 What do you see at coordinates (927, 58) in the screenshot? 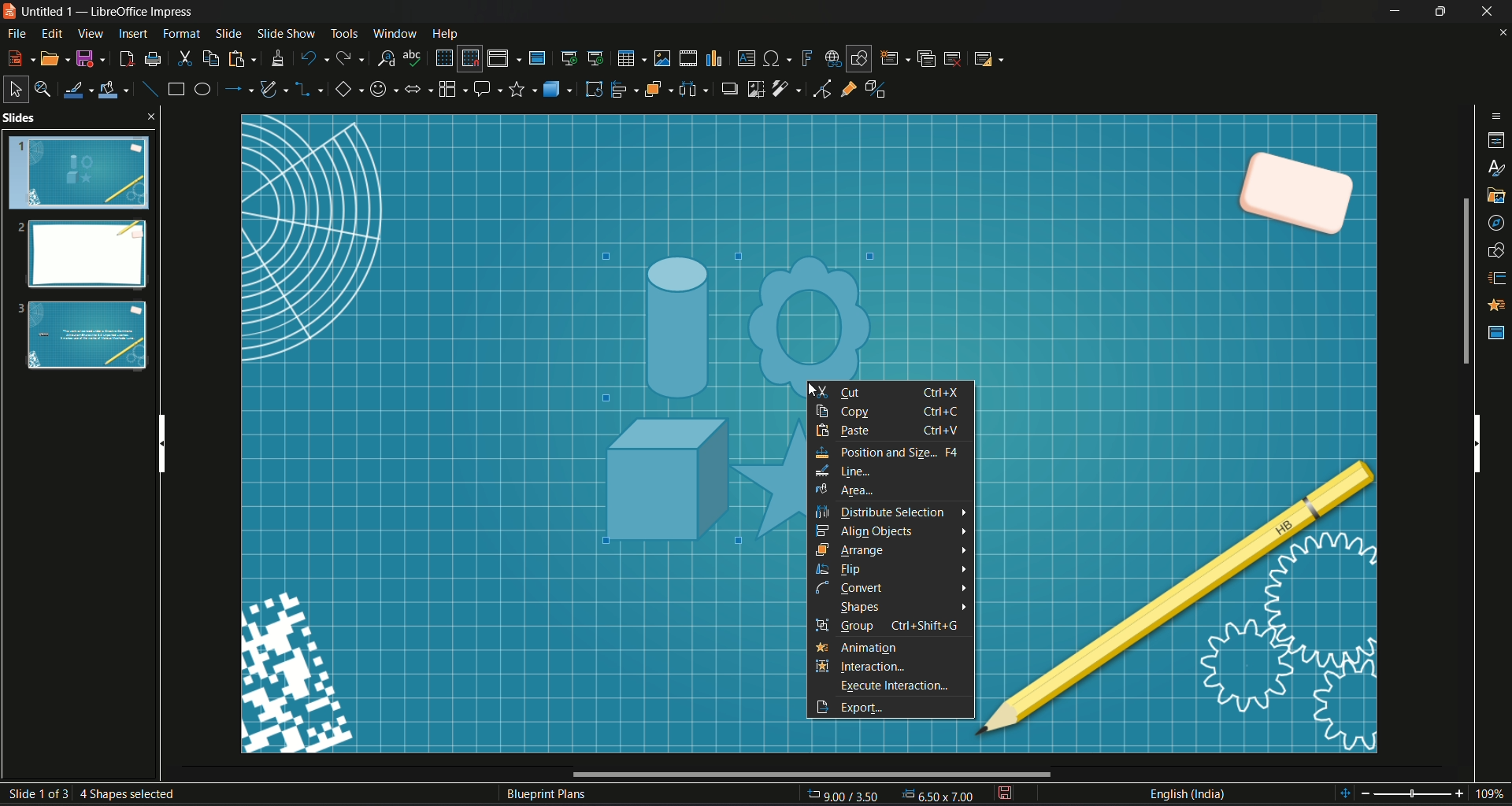
I see `duplicate slide` at bounding box center [927, 58].